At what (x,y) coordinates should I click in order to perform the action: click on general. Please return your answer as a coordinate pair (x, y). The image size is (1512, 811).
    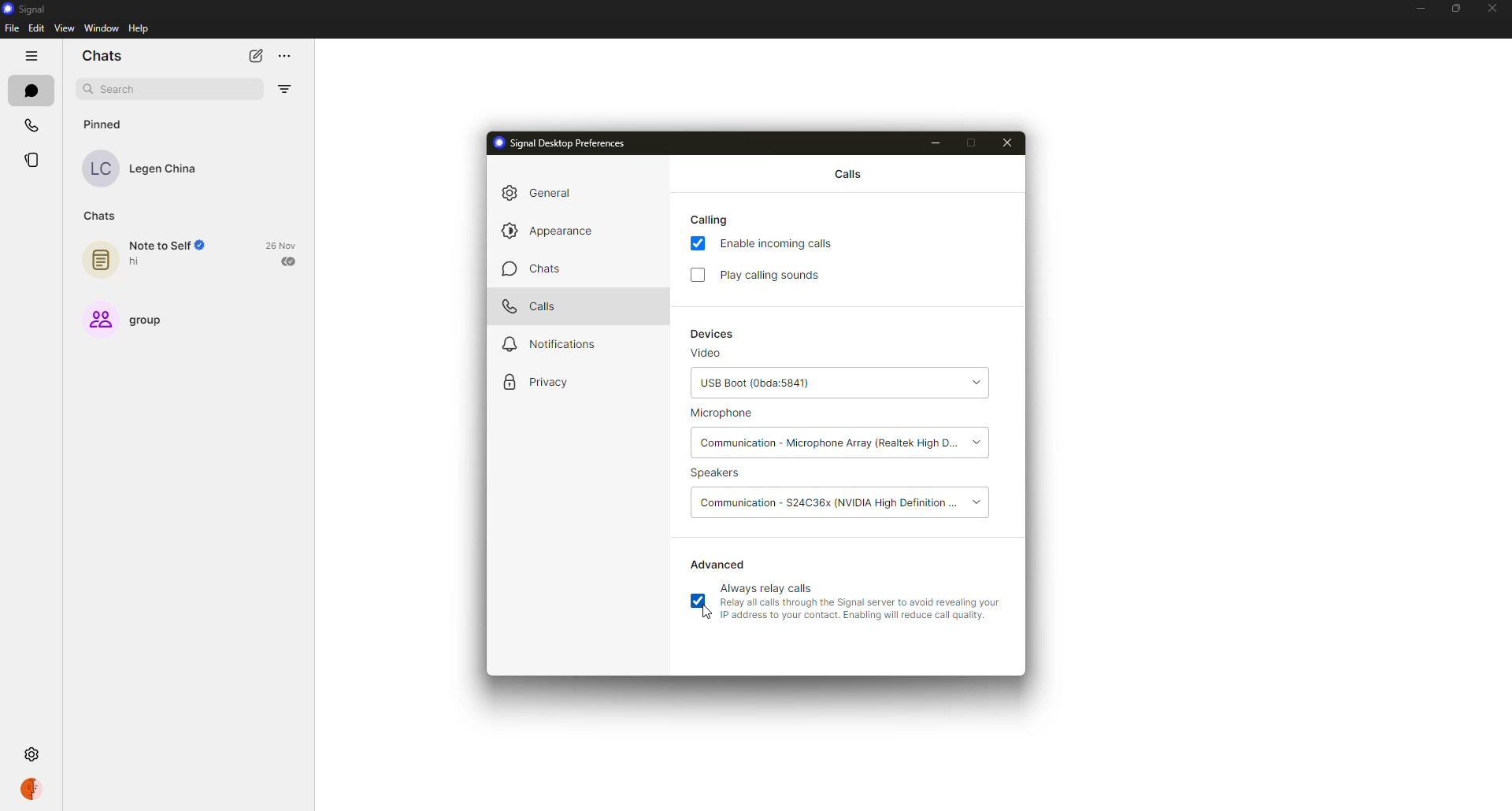
    Looking at the image, I should click on (543, 193).